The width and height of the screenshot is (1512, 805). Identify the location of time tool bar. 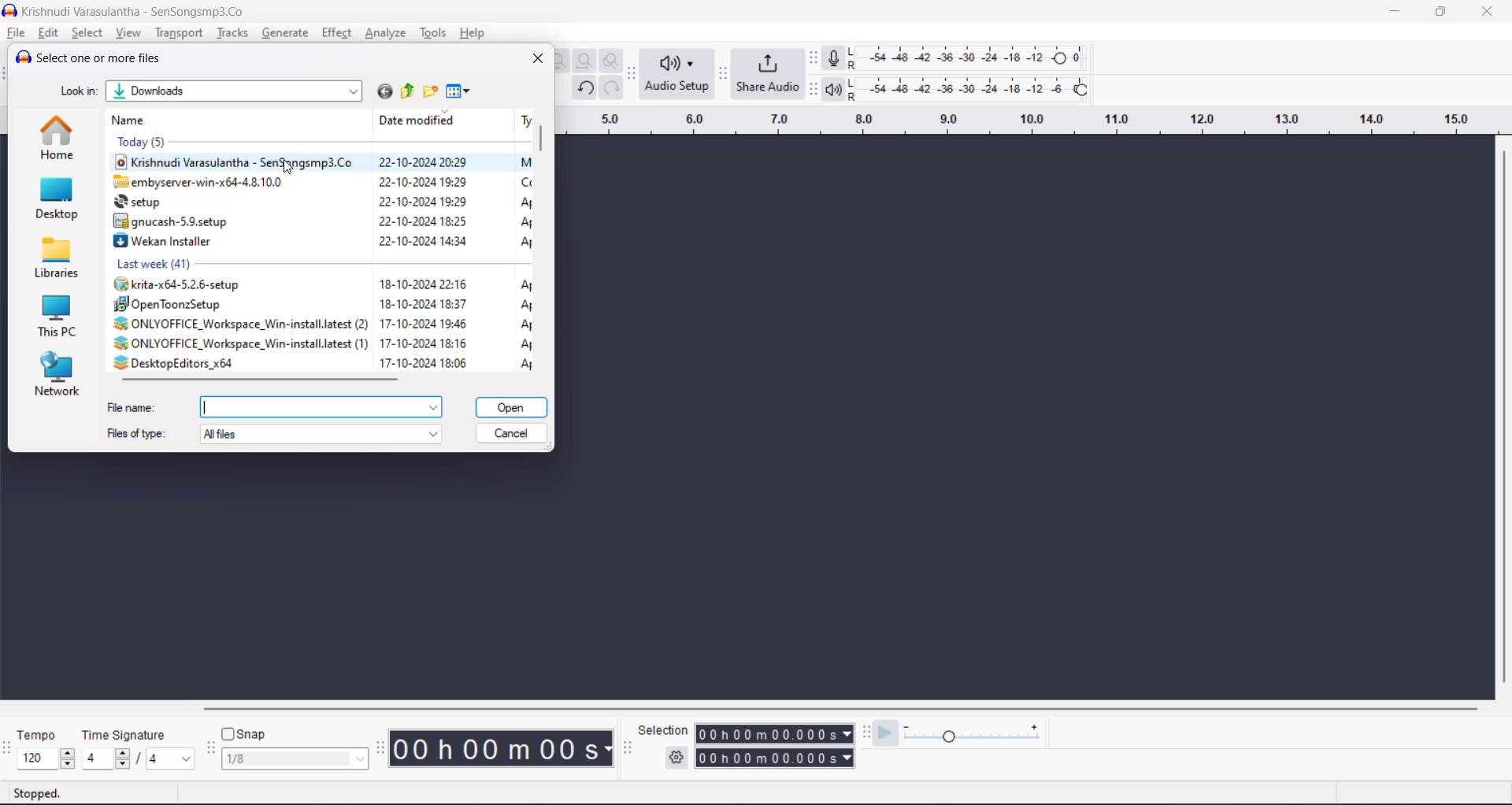
(383, 747).